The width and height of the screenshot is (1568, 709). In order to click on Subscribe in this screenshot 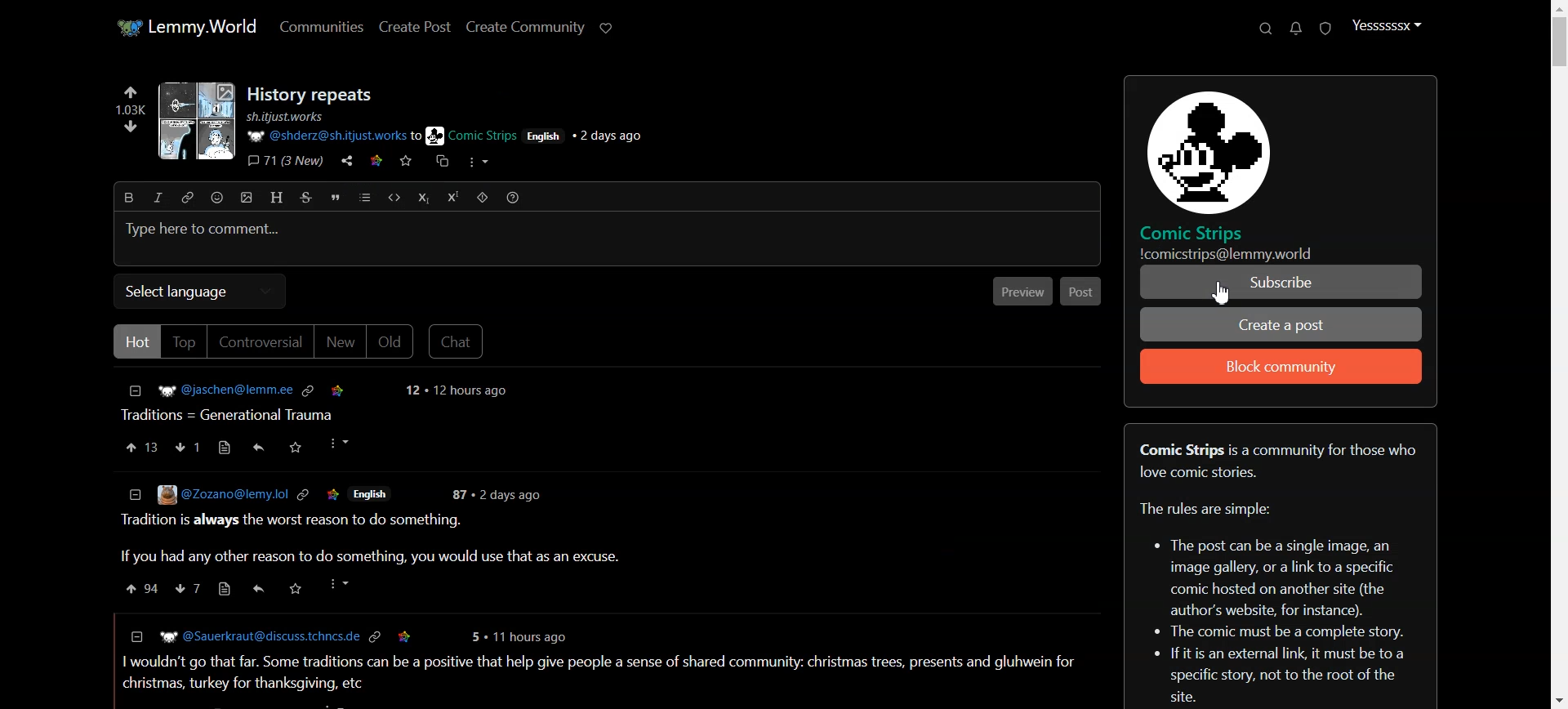, I will do `click(1281, 283)`.